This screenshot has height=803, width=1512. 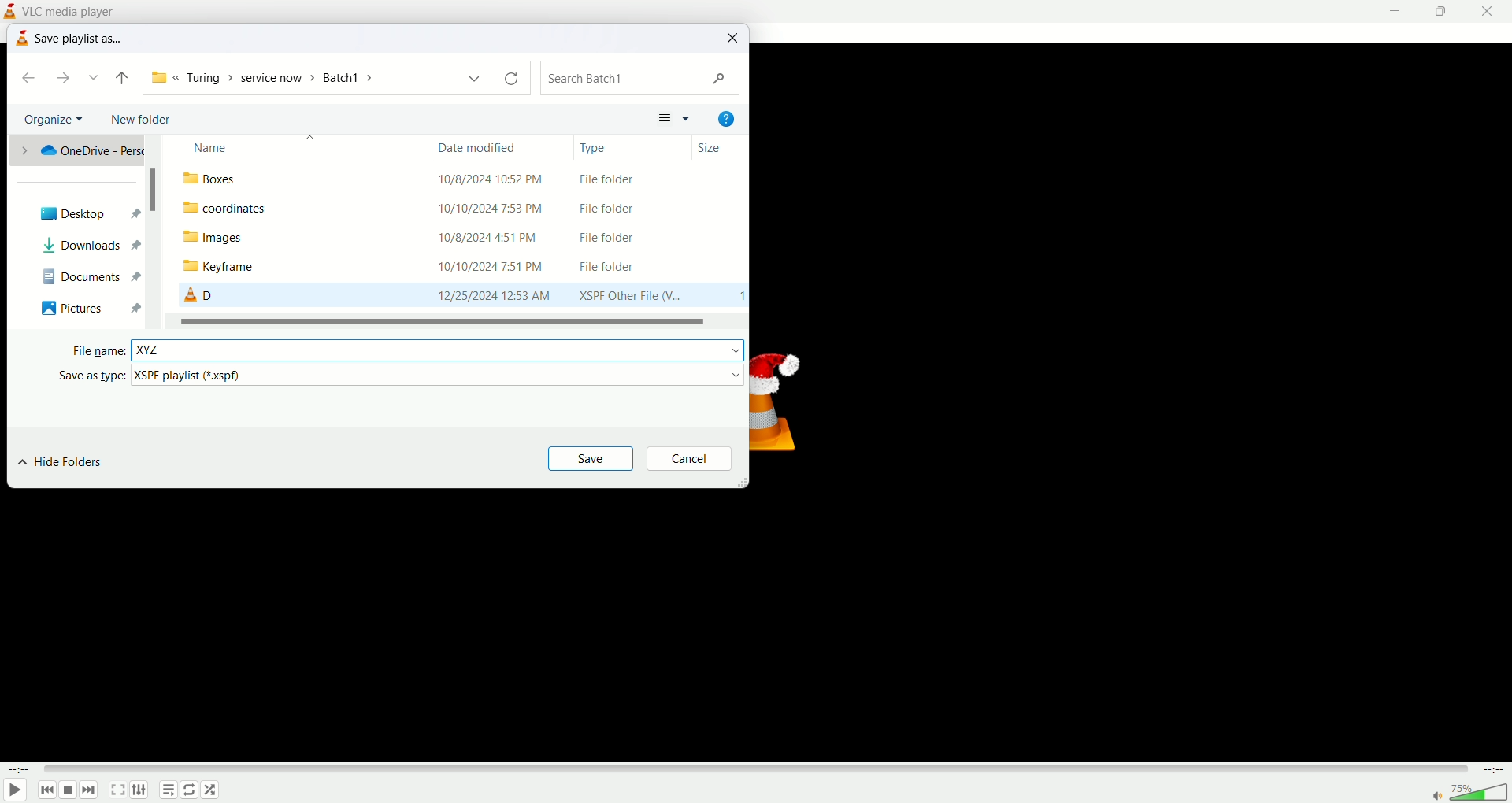 I want to click on save as type, so click(x=83, y=375).